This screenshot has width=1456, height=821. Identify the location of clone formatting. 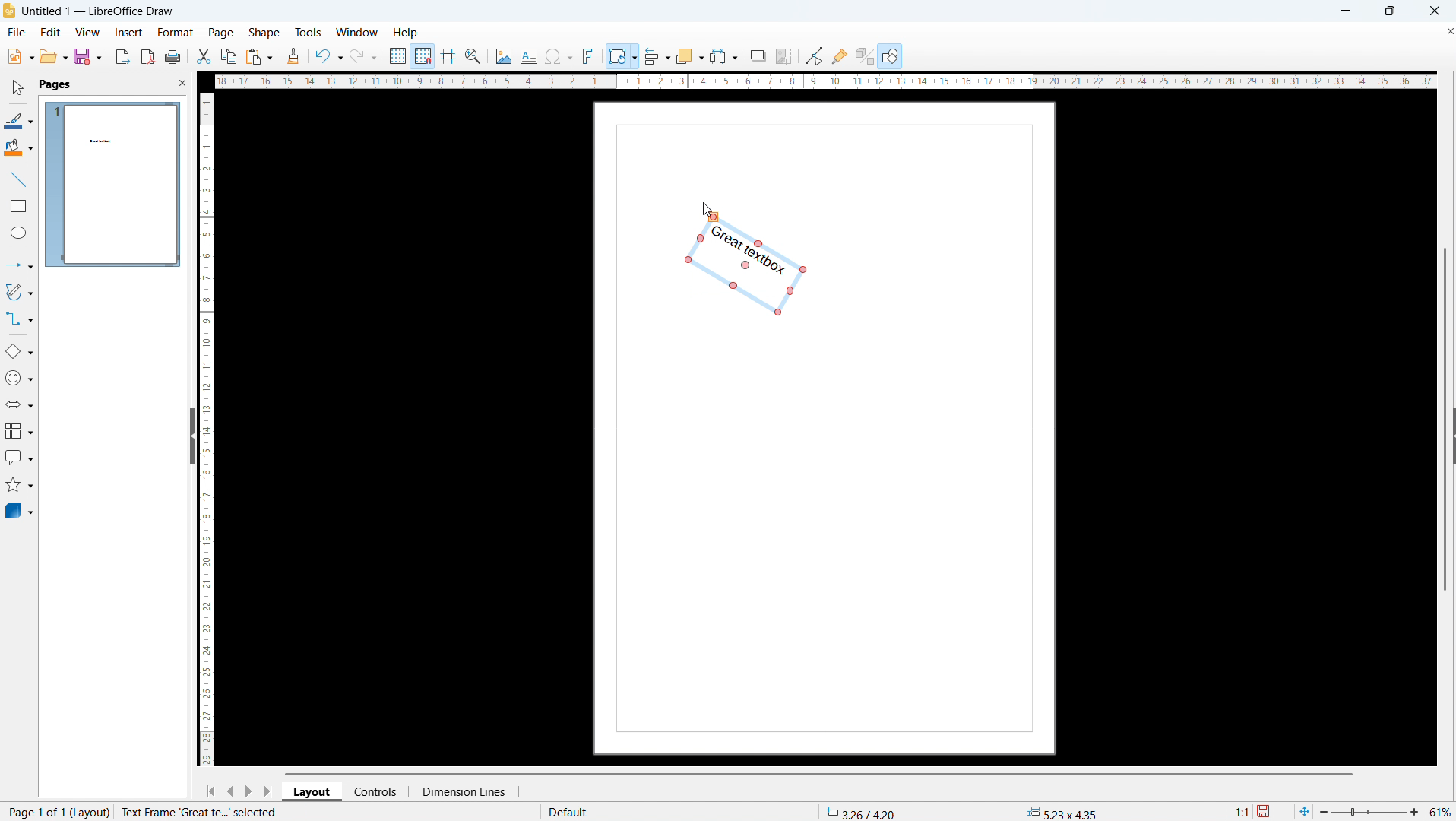
(293, 55).